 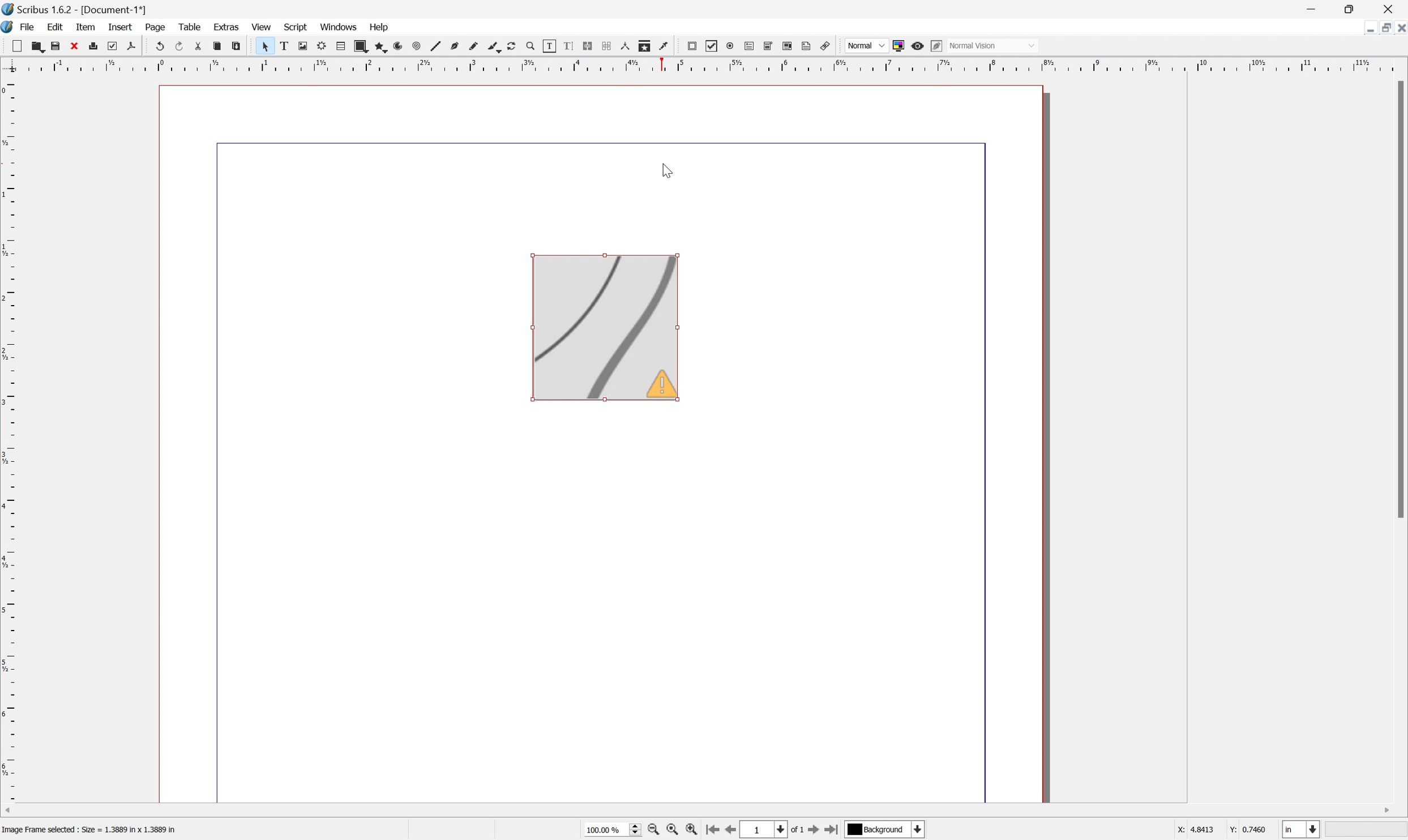 I want to click on Scroll right, so click(x=1385, y=808).